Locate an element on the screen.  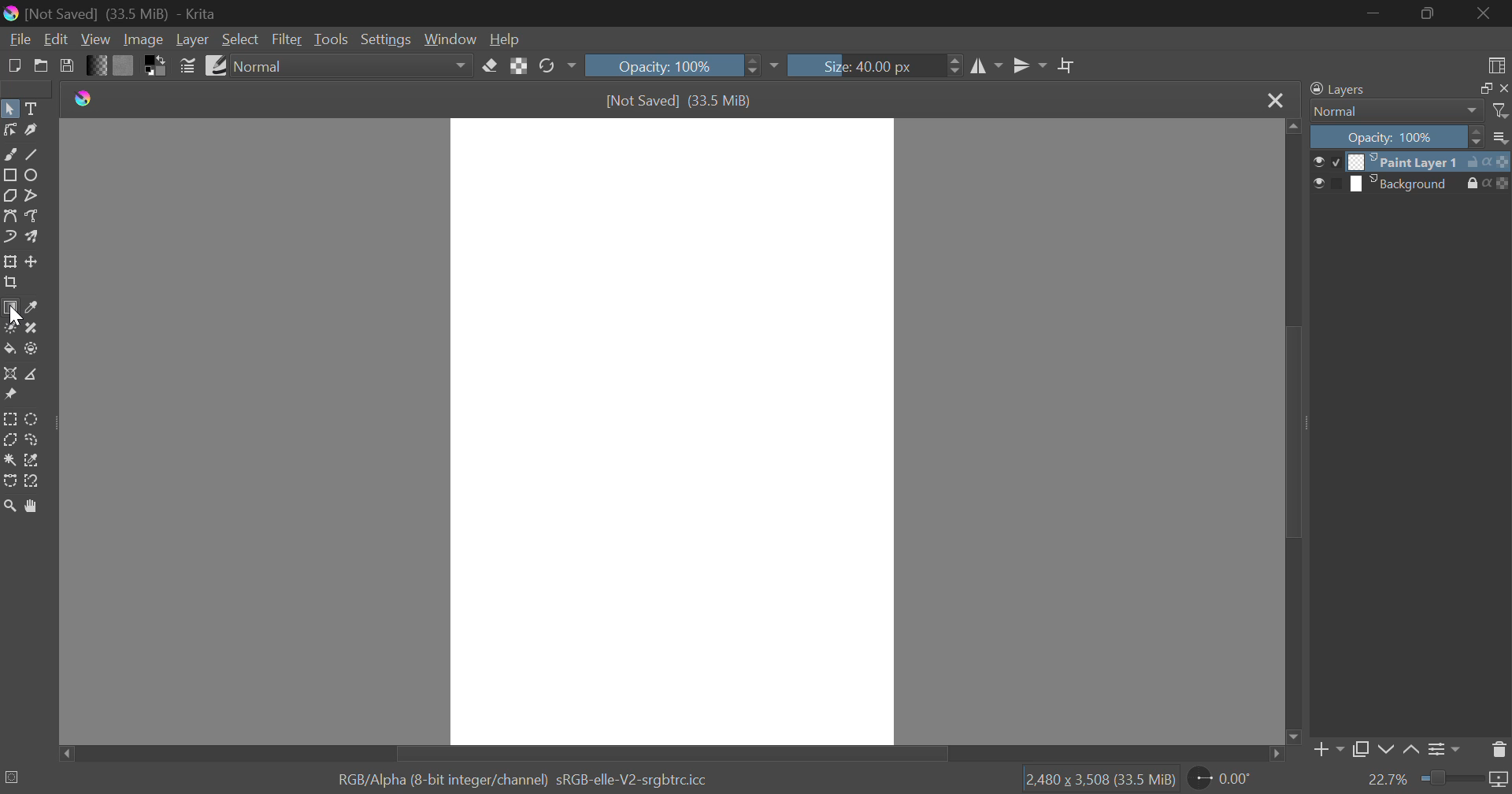
Similar Color Selection is located at coordinates (32, 461).